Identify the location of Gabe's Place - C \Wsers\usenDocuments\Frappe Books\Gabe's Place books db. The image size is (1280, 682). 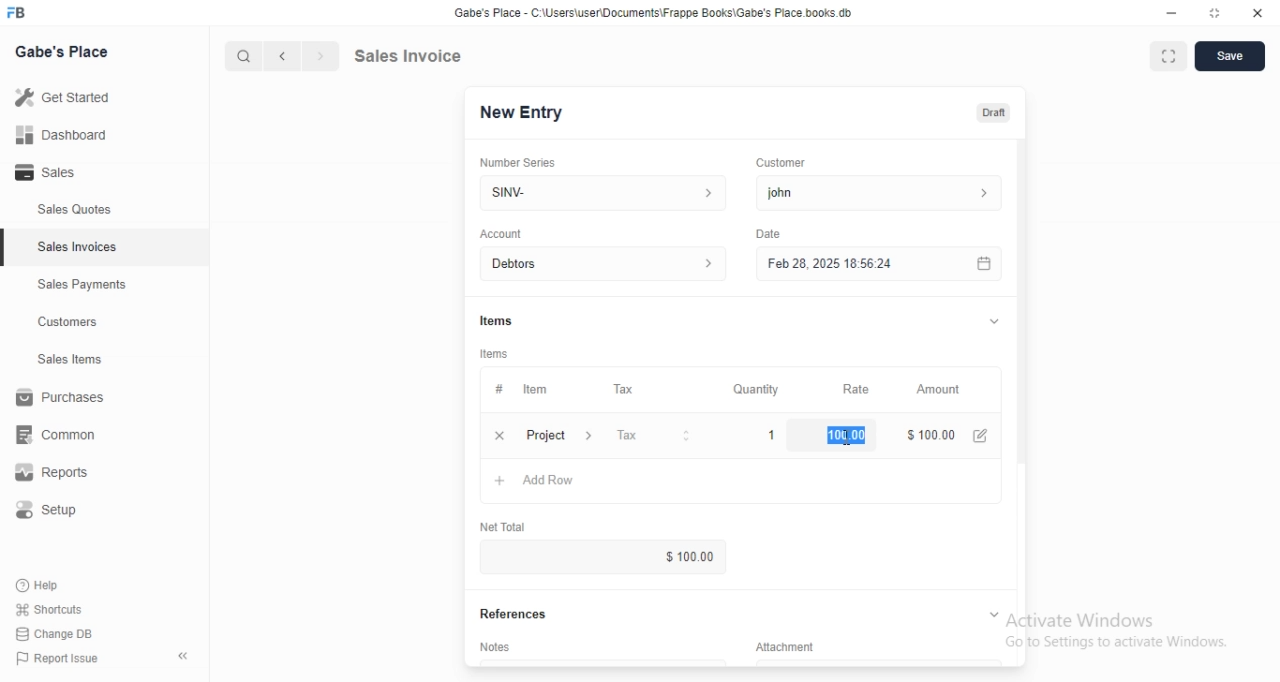
(658, 16).